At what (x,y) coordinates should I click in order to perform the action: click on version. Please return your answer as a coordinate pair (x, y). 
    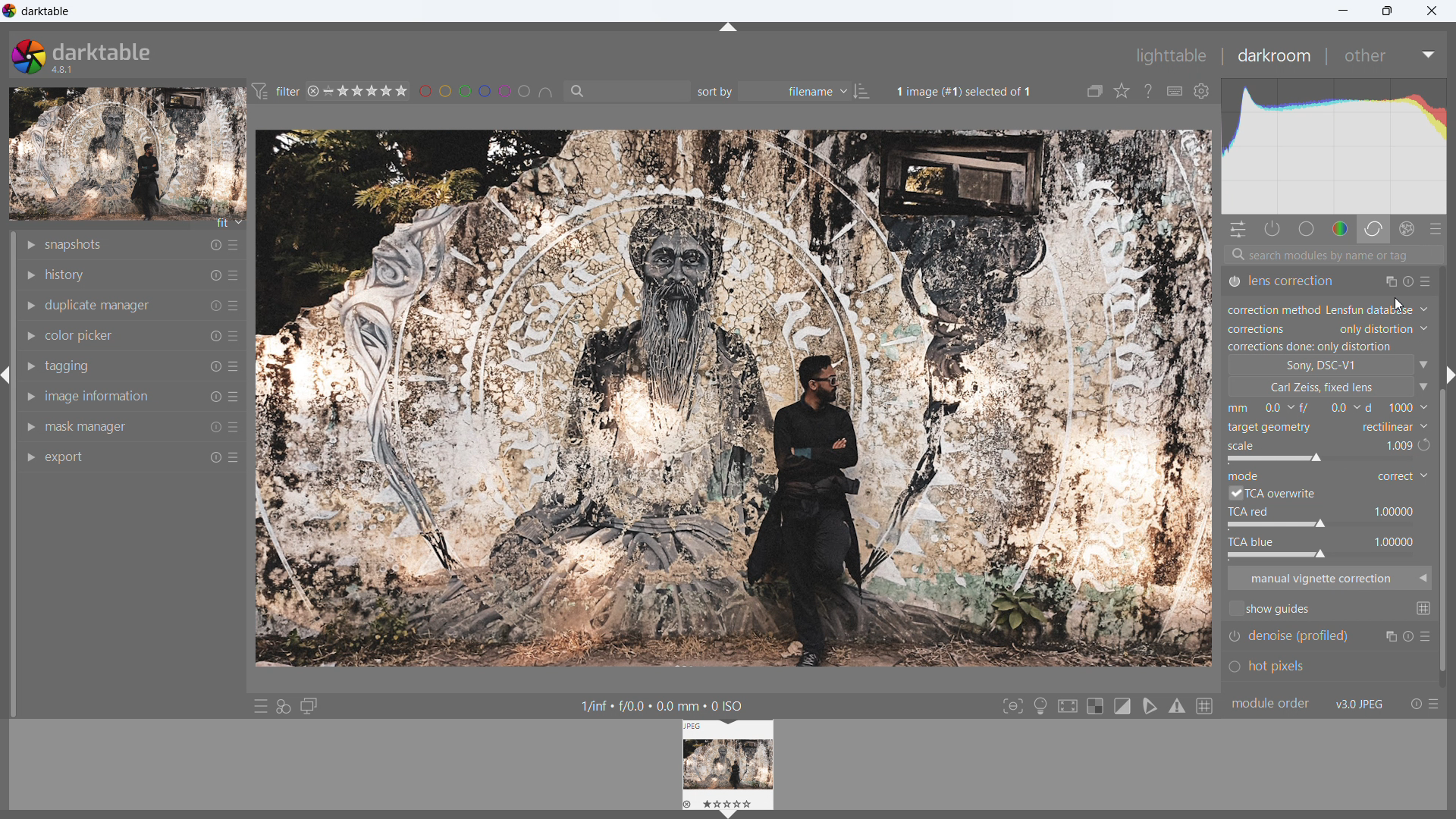
    Looking at the image, I should click on (62, 71).